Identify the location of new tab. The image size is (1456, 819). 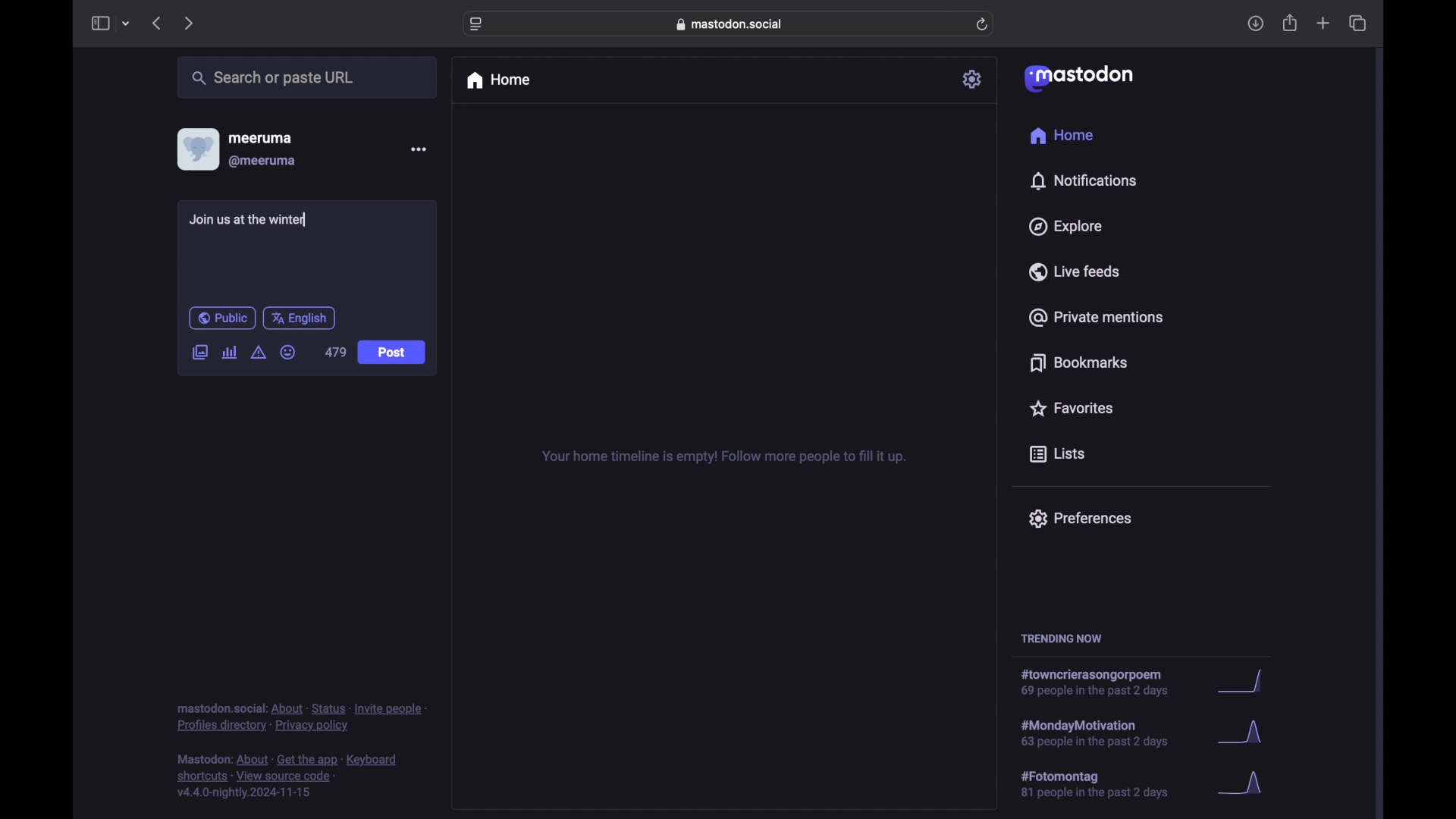
(1323, 23).